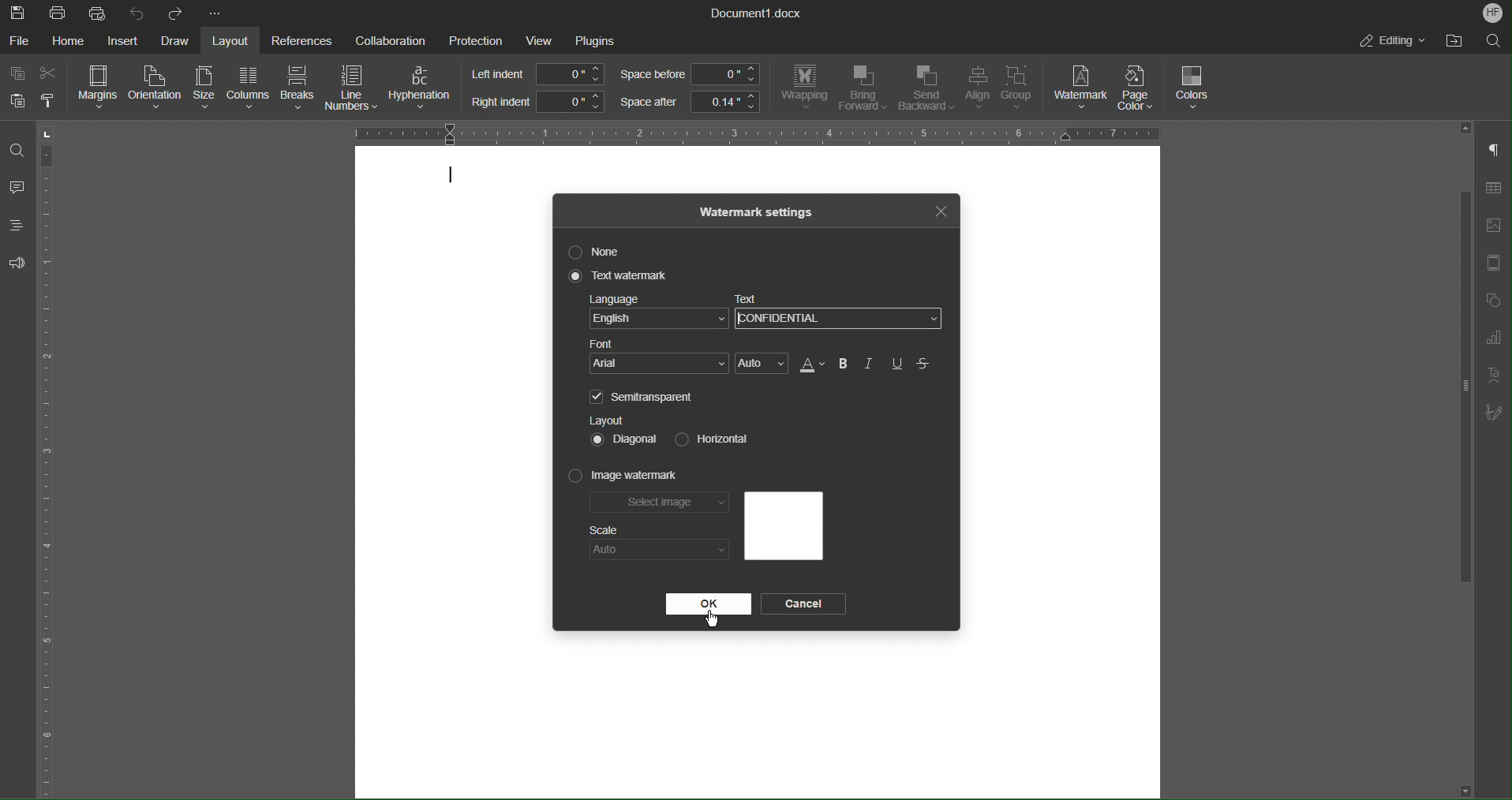  I want to click on Diagonal, so click(625, 438).